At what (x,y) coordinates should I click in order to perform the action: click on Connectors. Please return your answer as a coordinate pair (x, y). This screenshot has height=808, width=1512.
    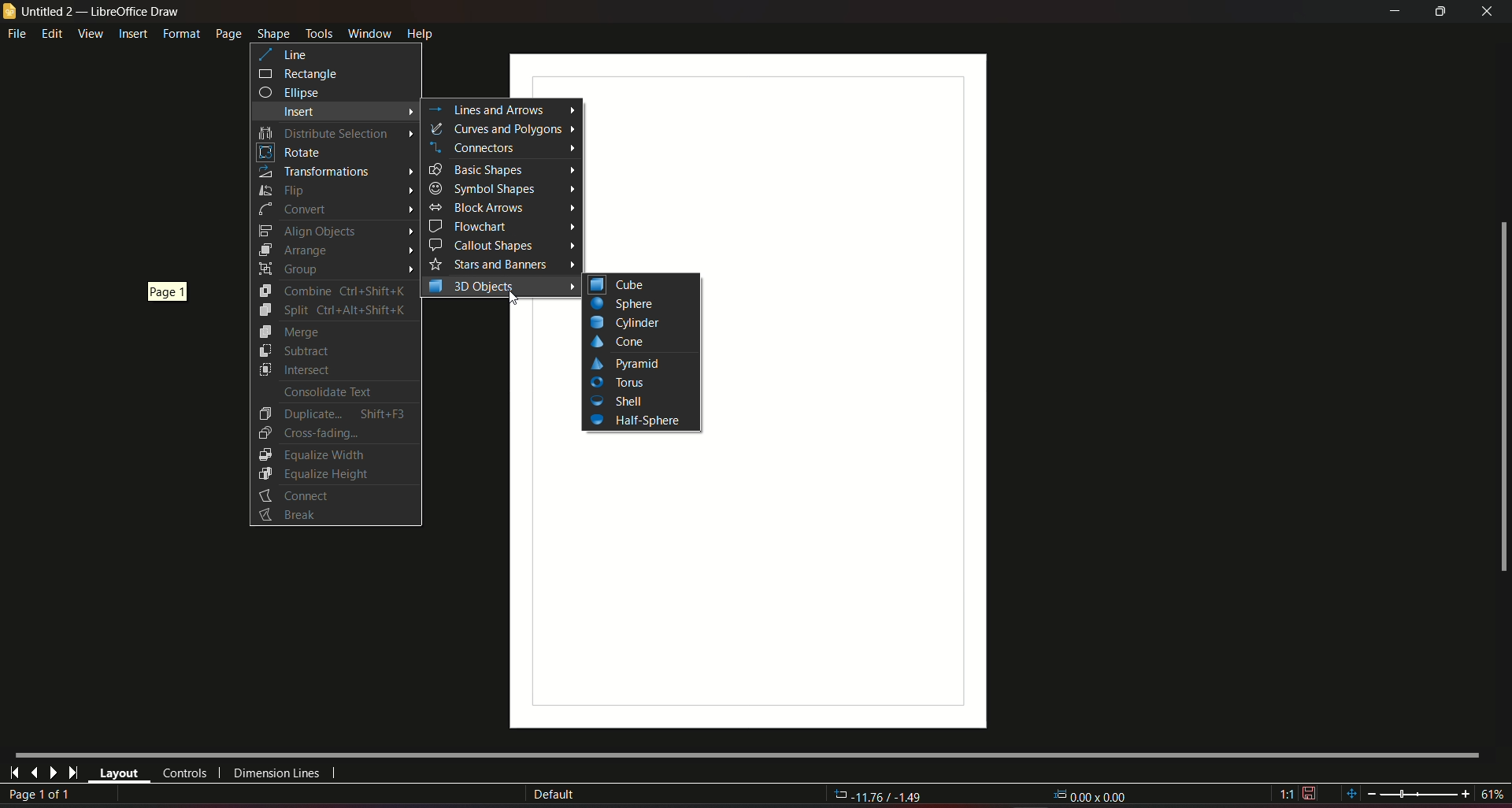
    Looking at the image, I should click on (470, 148).